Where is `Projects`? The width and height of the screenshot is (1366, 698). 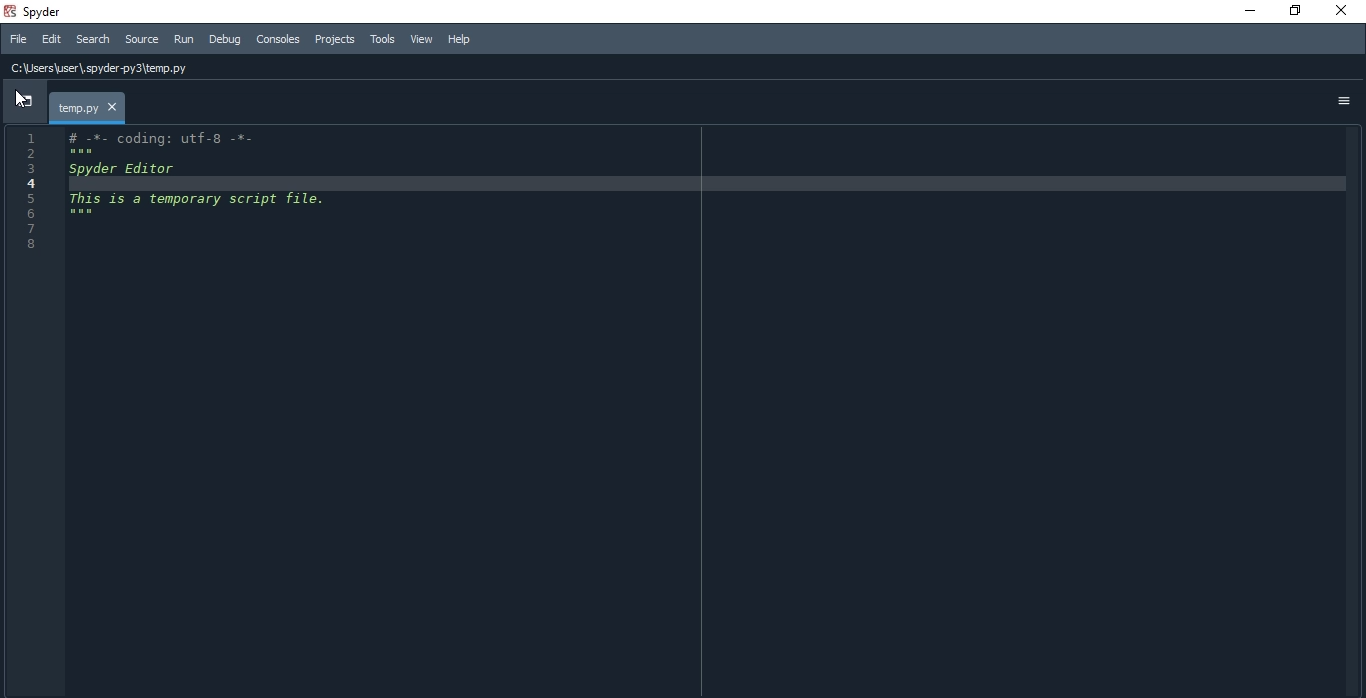
Projects is located at coordinates (335, 39).